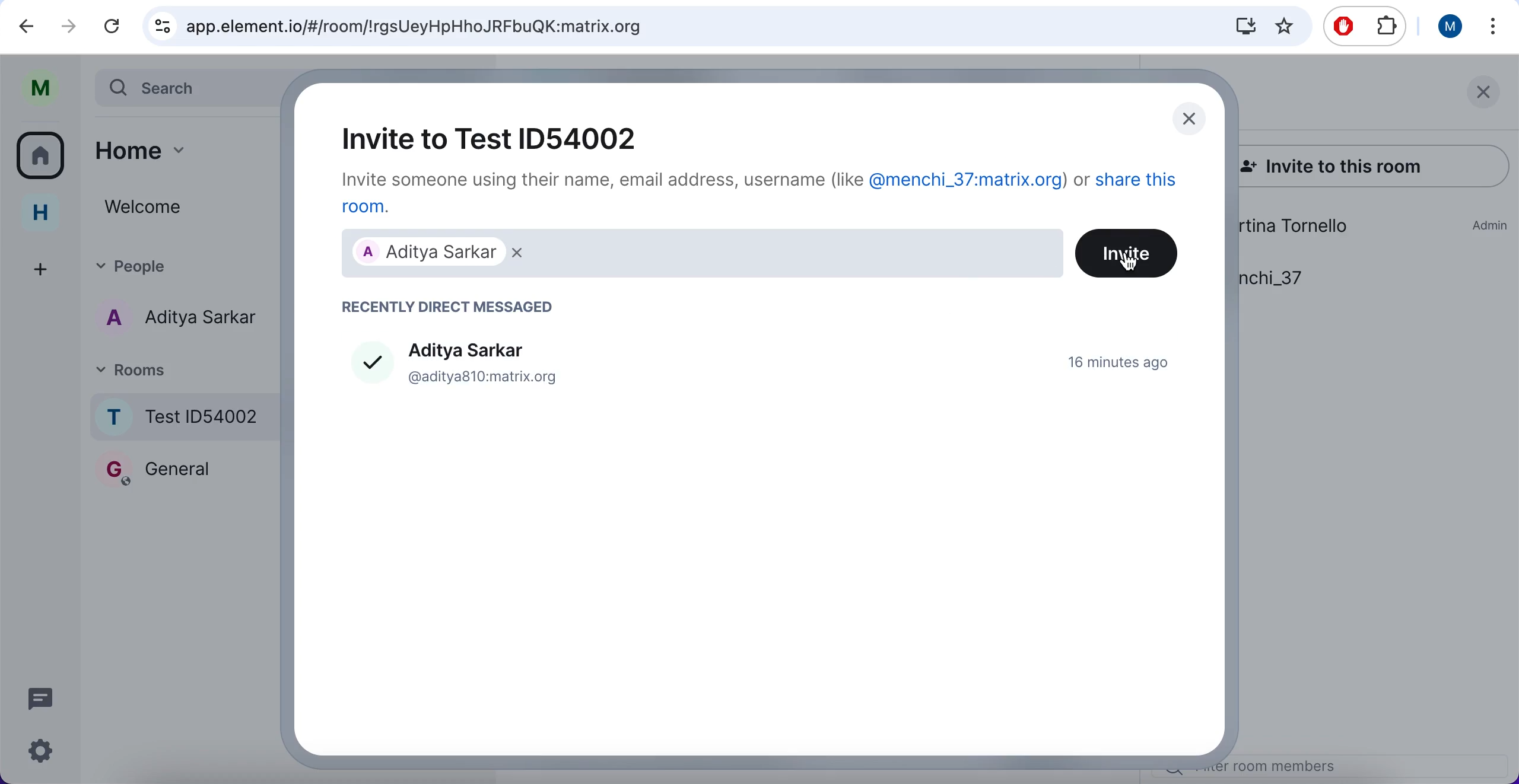  What do you see at coordinates (182, 149) in the screenshot?
I see `home` at bounding box center [182, 149].